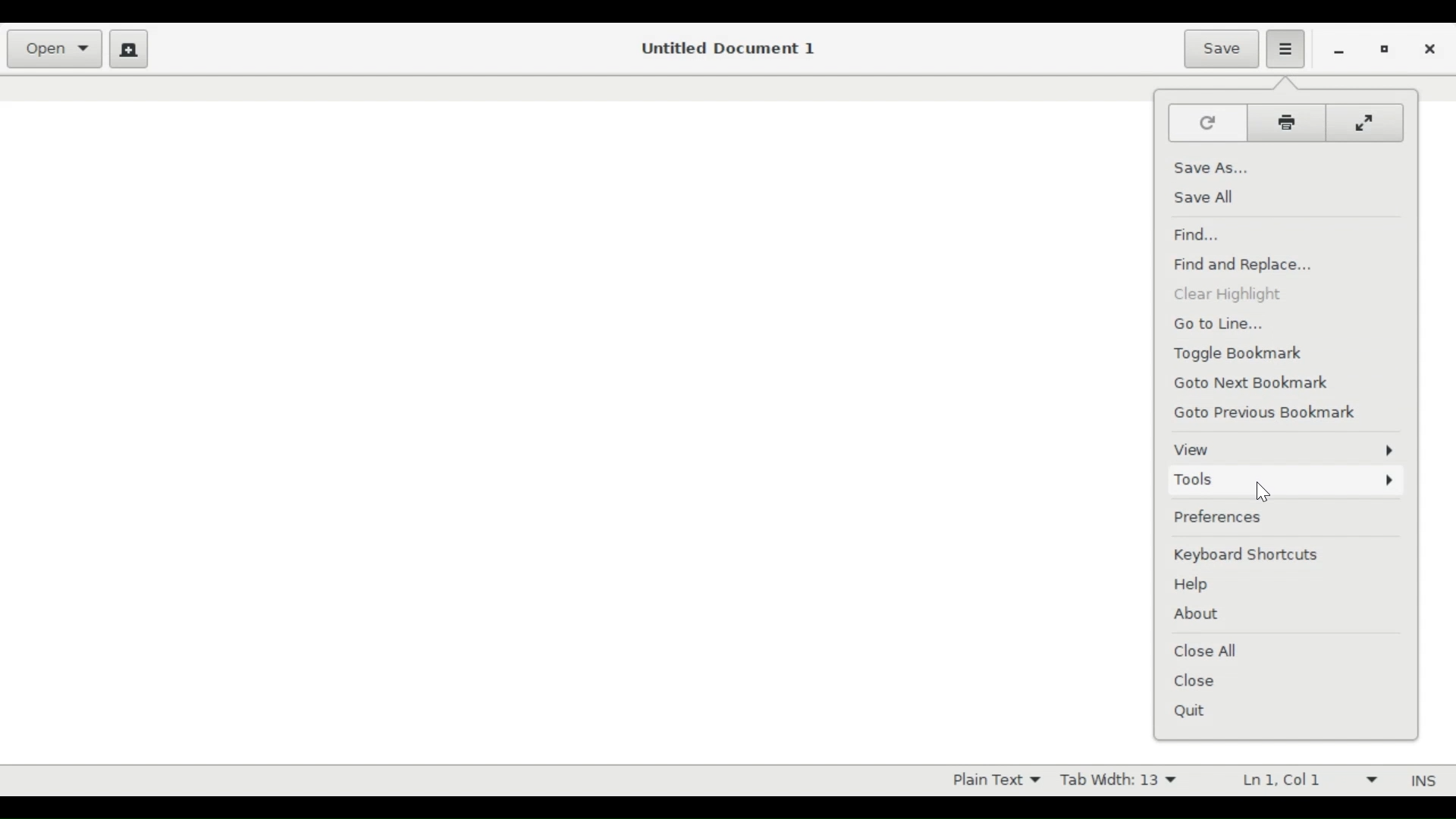 The height and width of the screenshot is (819, 1456). I want to click on Keyboard shortcuts, so click(1253, 556).